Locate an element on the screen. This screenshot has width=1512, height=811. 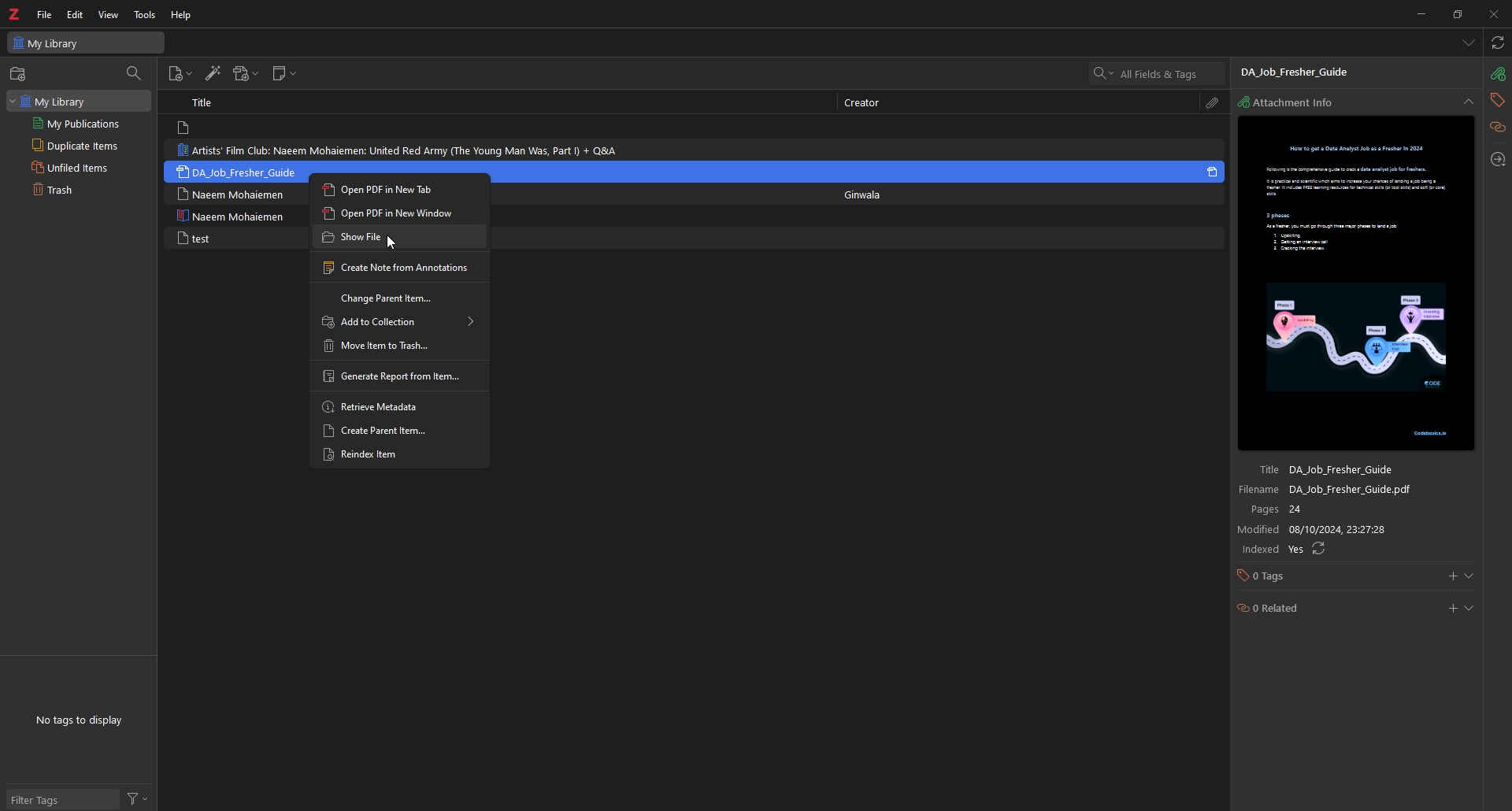
filter collections is located at coordinates (133, 72).